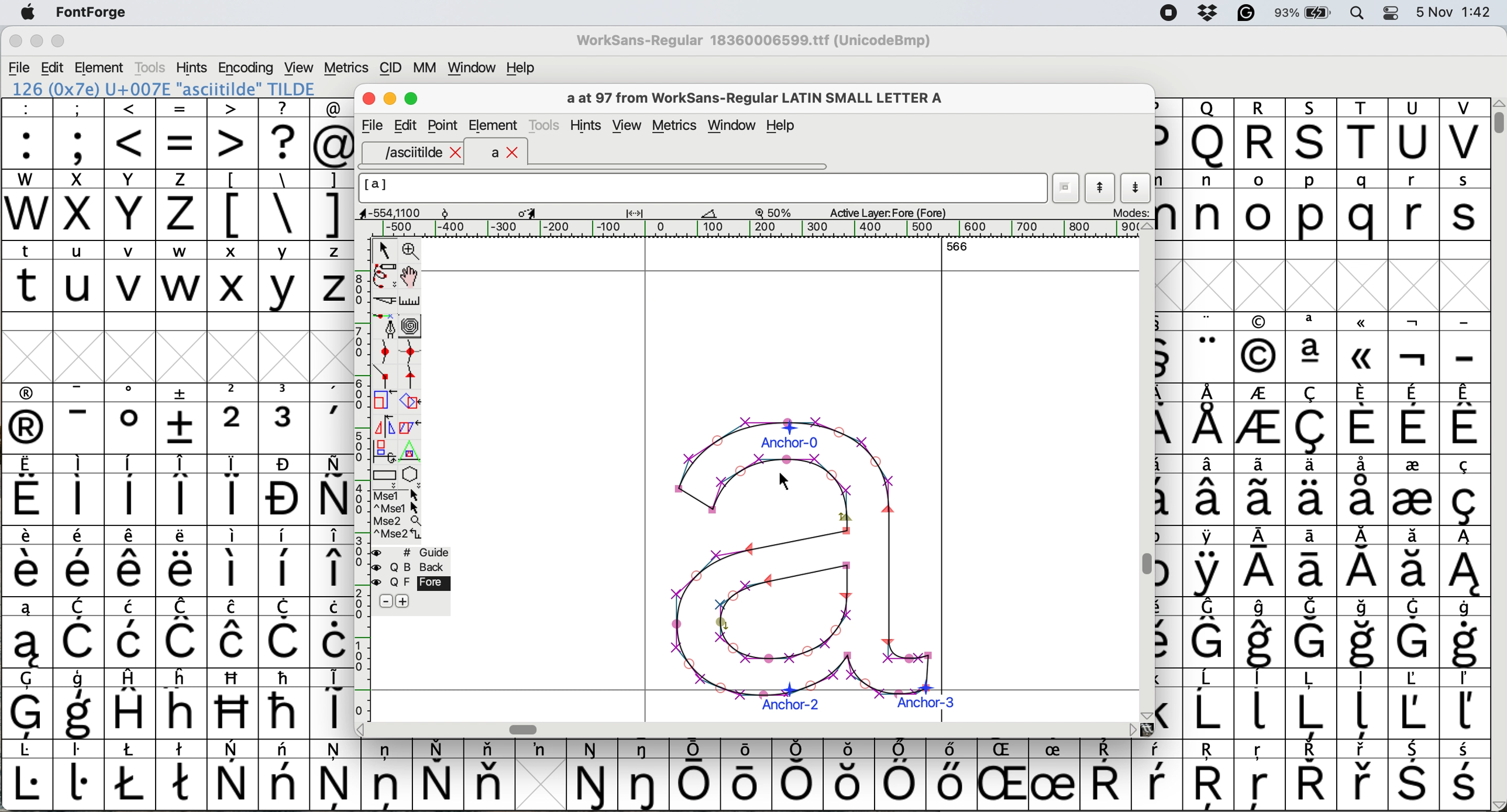 Image resolution: width=1507 pixels, height=812 pixels. I want to click on symbol, so click(82, 634).